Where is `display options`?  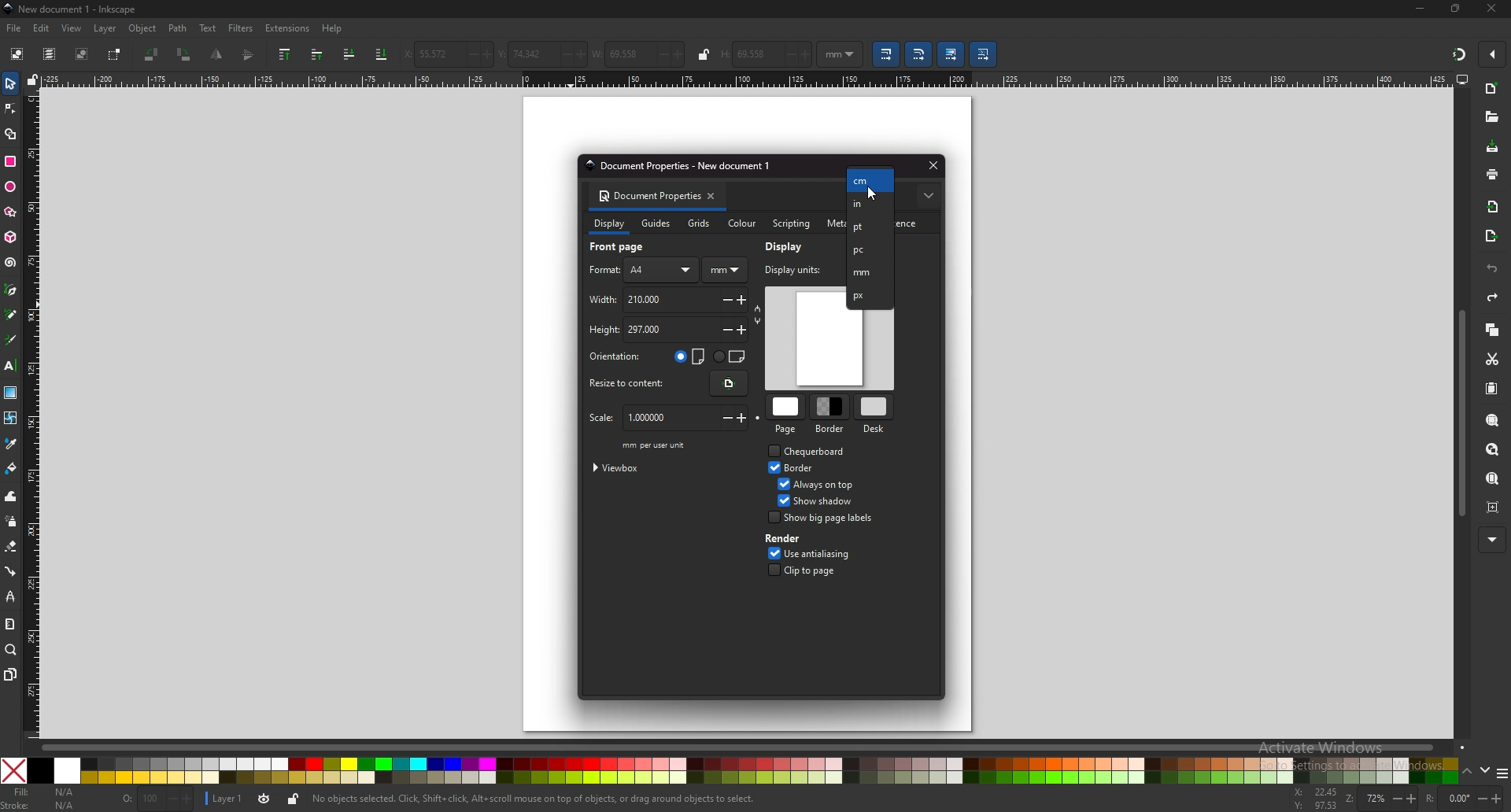 display options is located at coordinates (1462, 79).